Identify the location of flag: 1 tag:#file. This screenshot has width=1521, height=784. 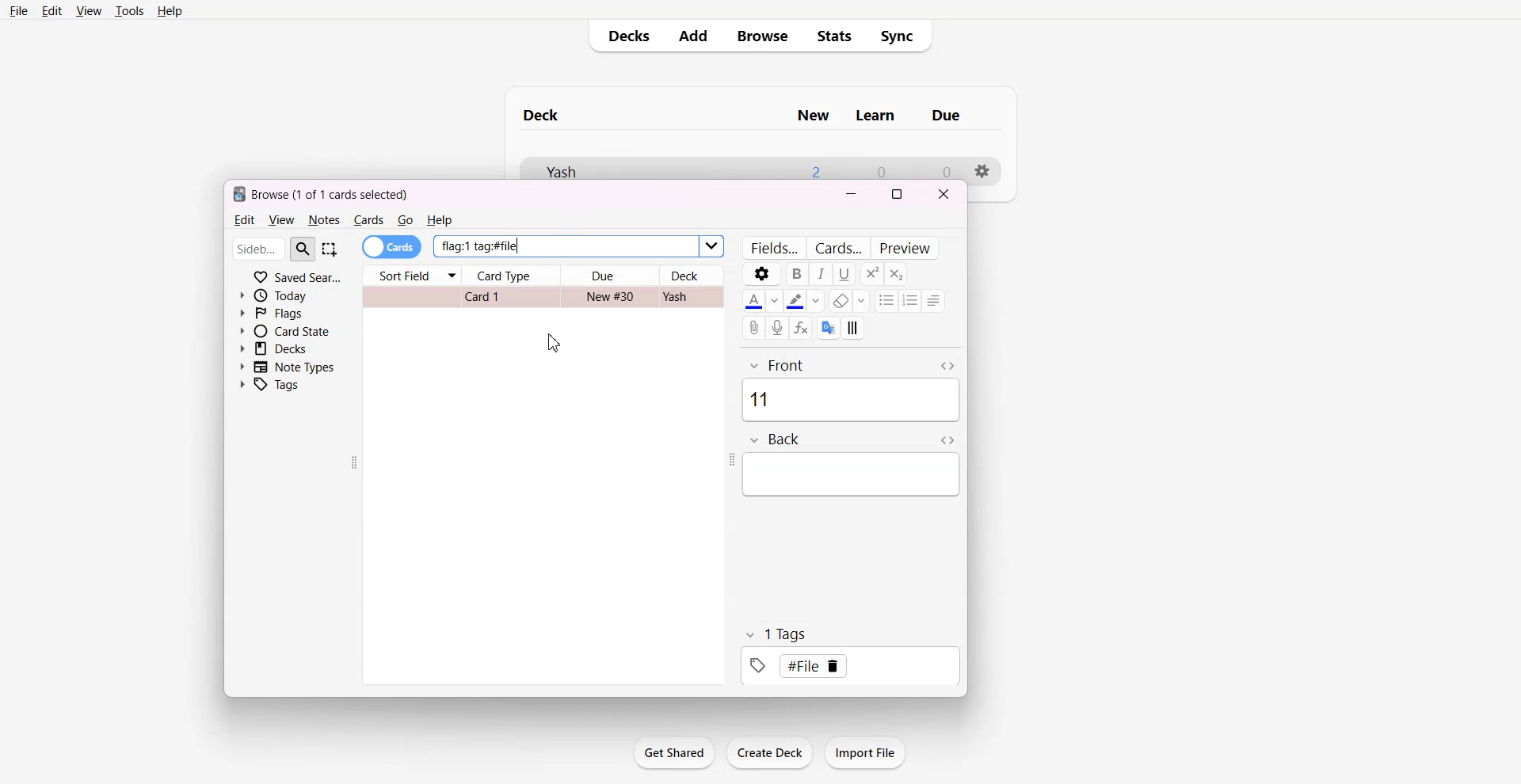
(574, 246).